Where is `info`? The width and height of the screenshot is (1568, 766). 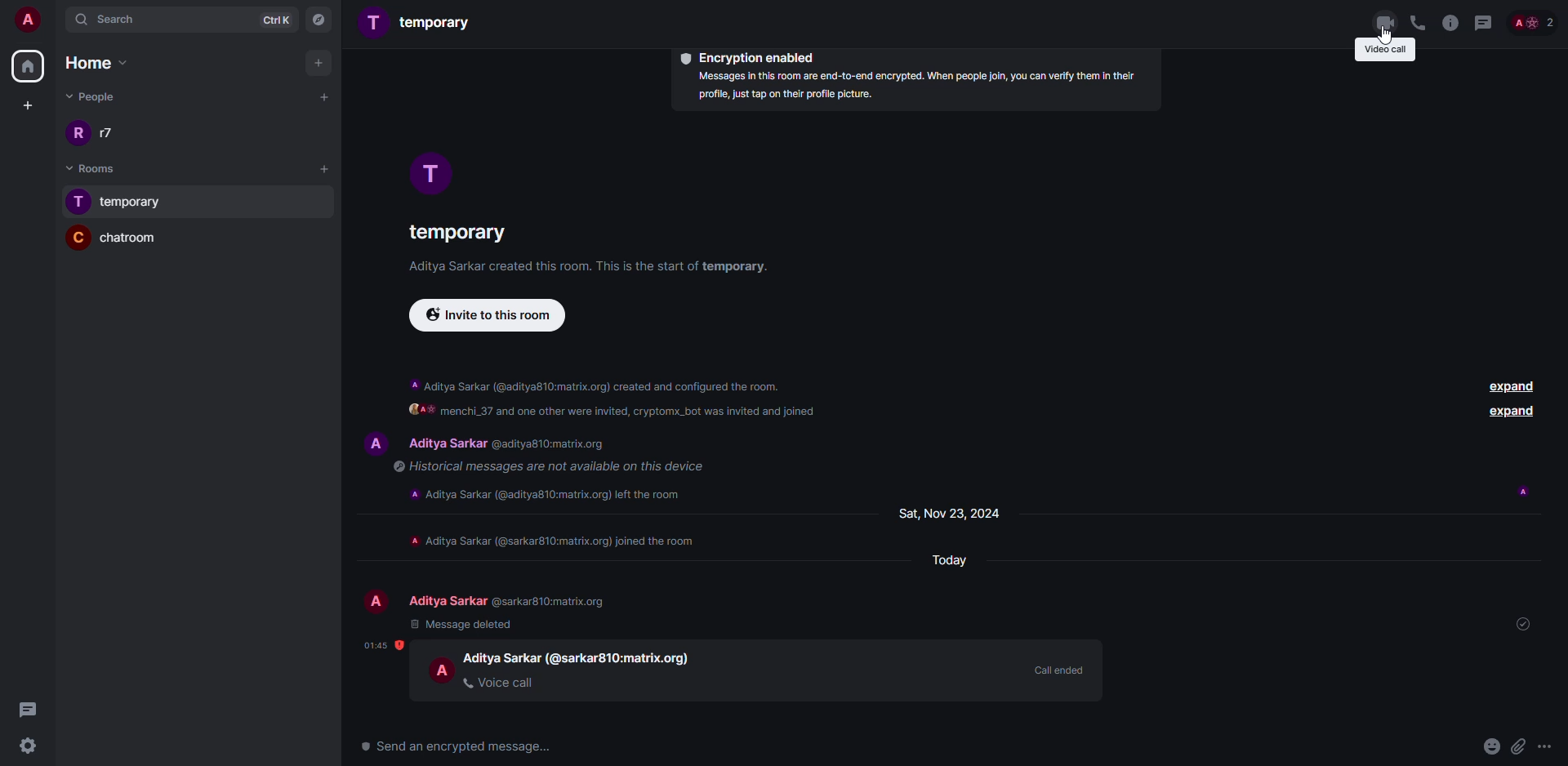
info is located at coordinates (1449, 23).